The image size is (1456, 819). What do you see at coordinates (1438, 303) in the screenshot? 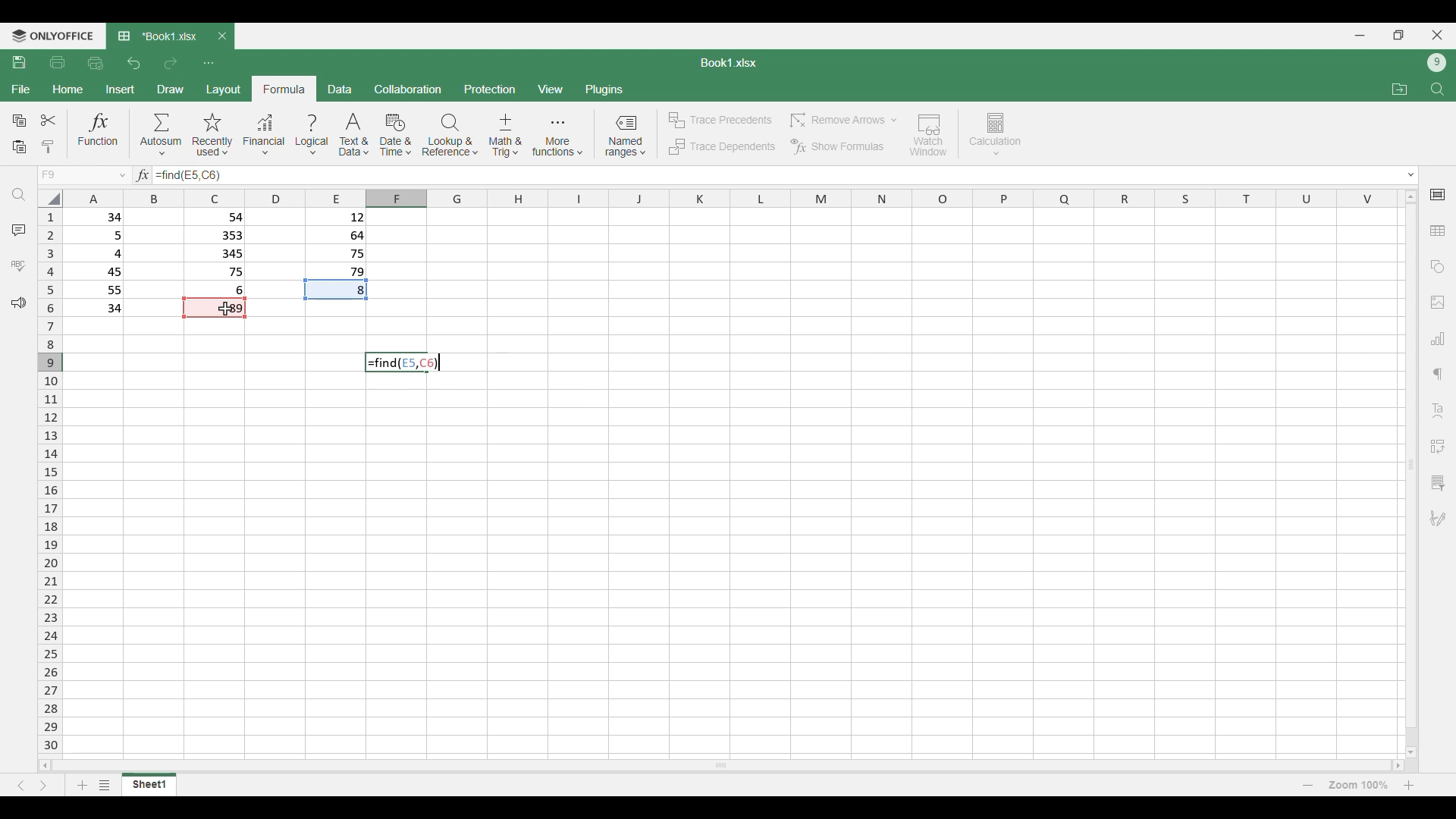
I see `Insert images` at bounding box center [1438, 303].